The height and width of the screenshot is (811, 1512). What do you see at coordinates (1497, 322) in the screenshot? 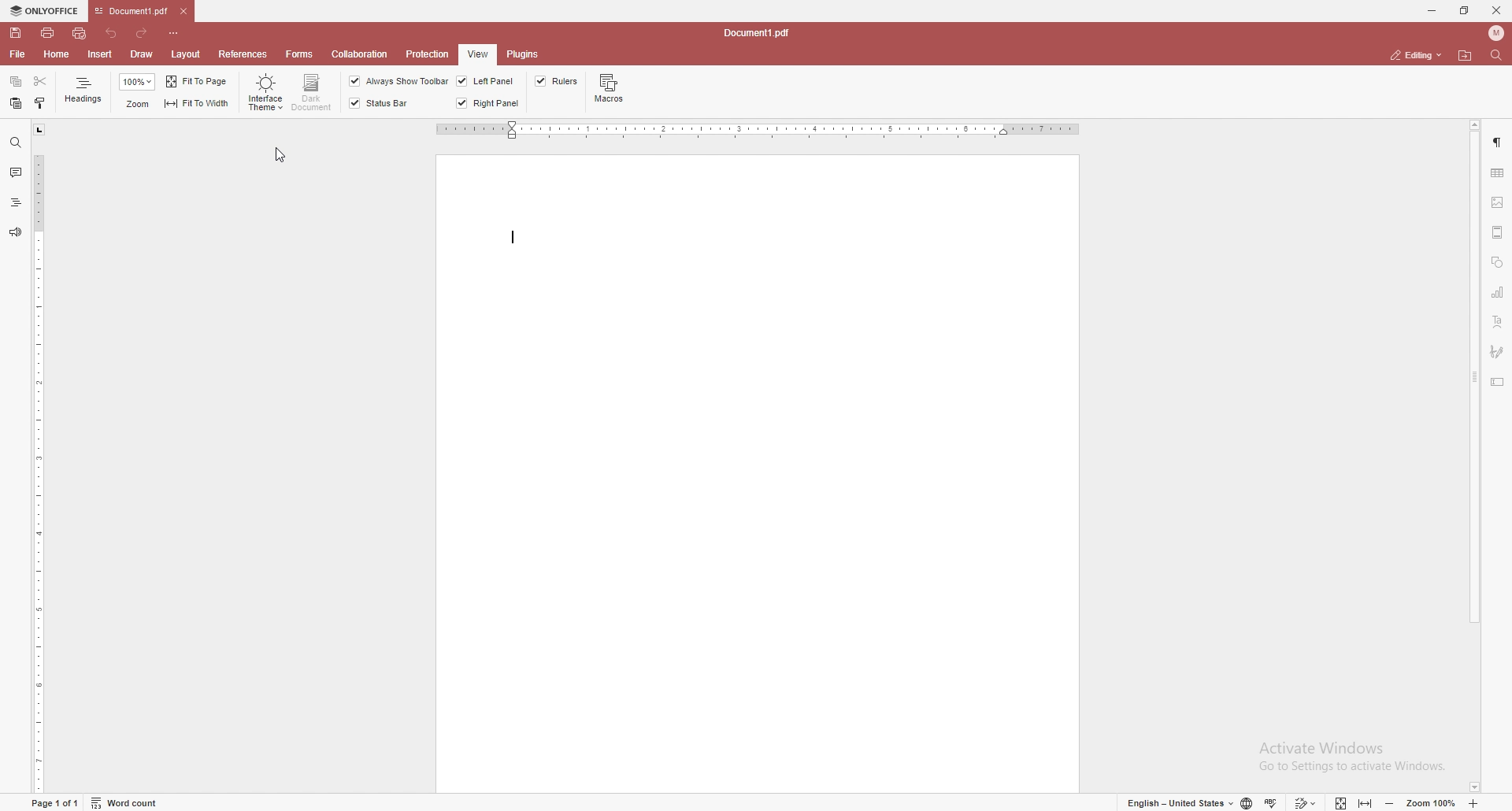
I see `text art` at bounding box center [1497, 322].